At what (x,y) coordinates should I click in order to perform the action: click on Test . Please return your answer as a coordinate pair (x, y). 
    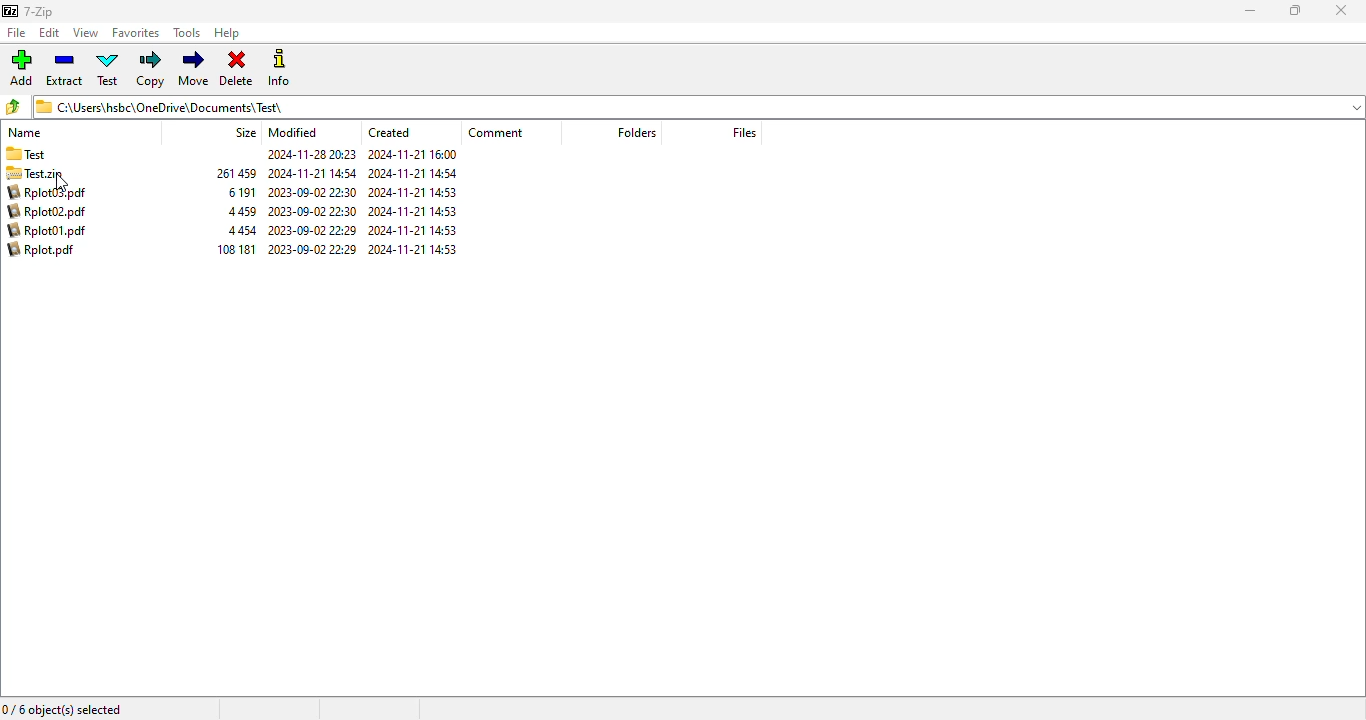
    Looking at the image, I should click on (59, 154).